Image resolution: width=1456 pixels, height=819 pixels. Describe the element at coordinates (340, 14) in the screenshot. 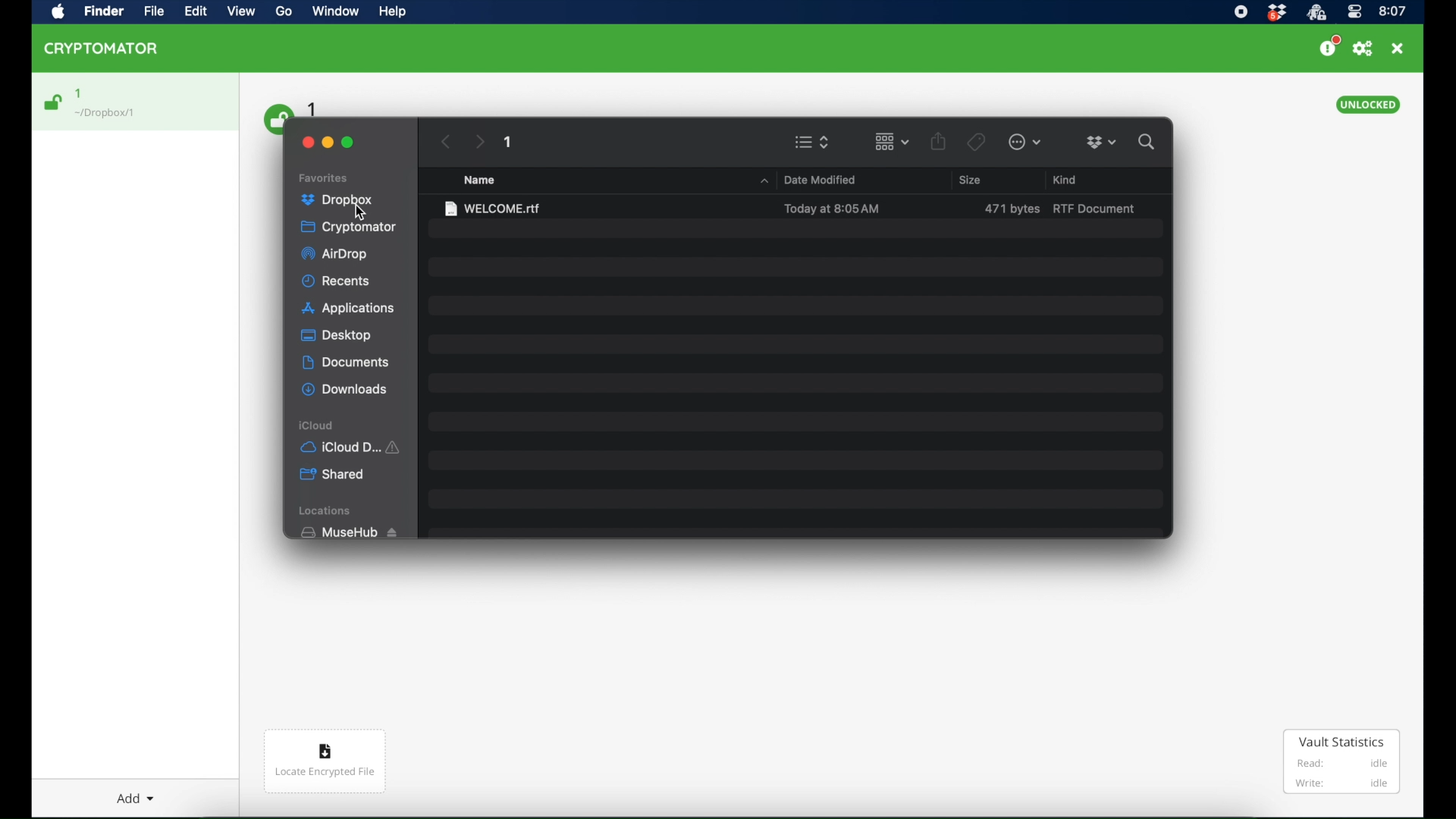

I see `Window` at that location.